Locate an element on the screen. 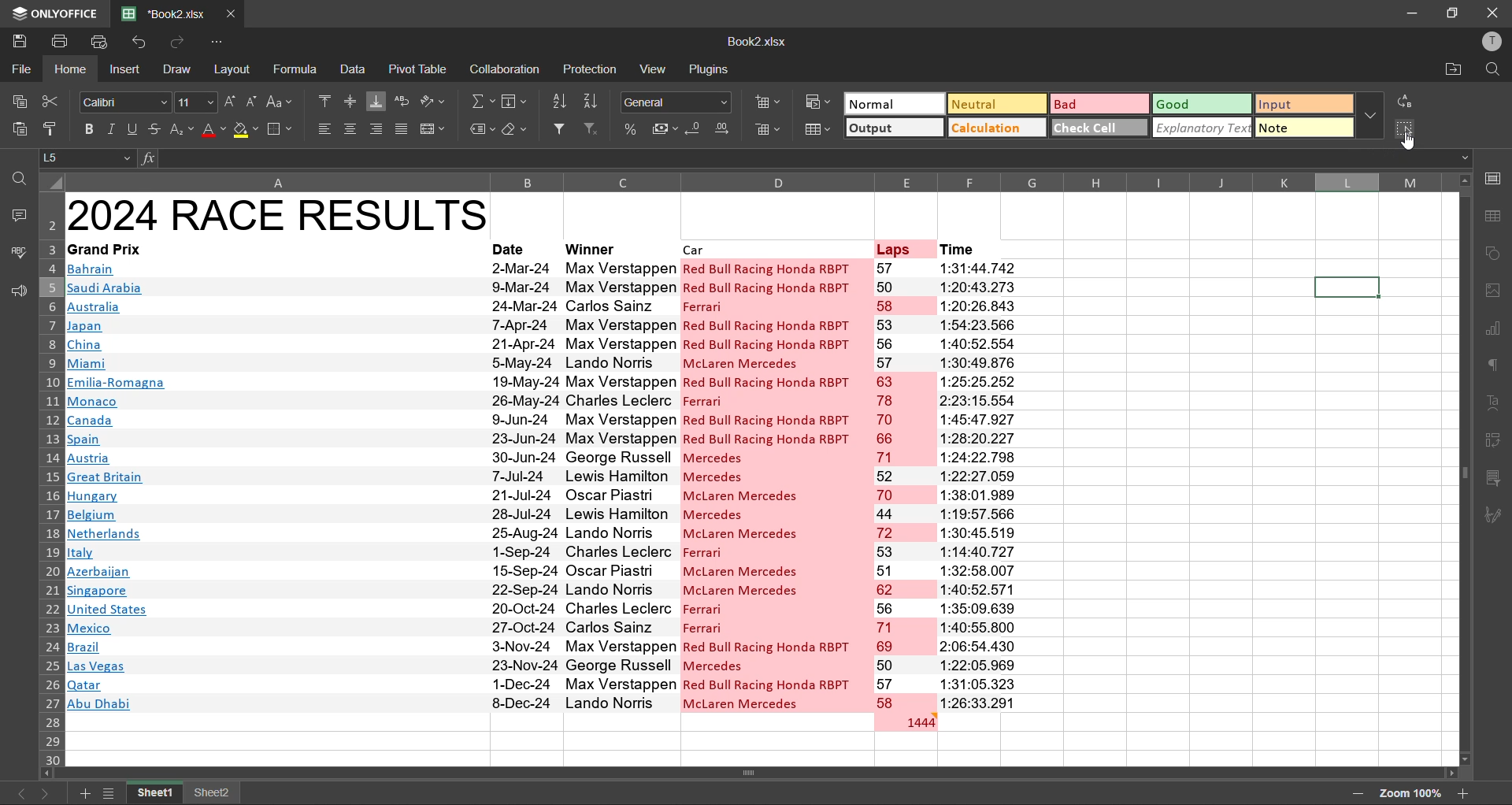 Image resolution: width=1512 pixels, height=805 pixels. zoom factor is located at coordinates (1412, 793).